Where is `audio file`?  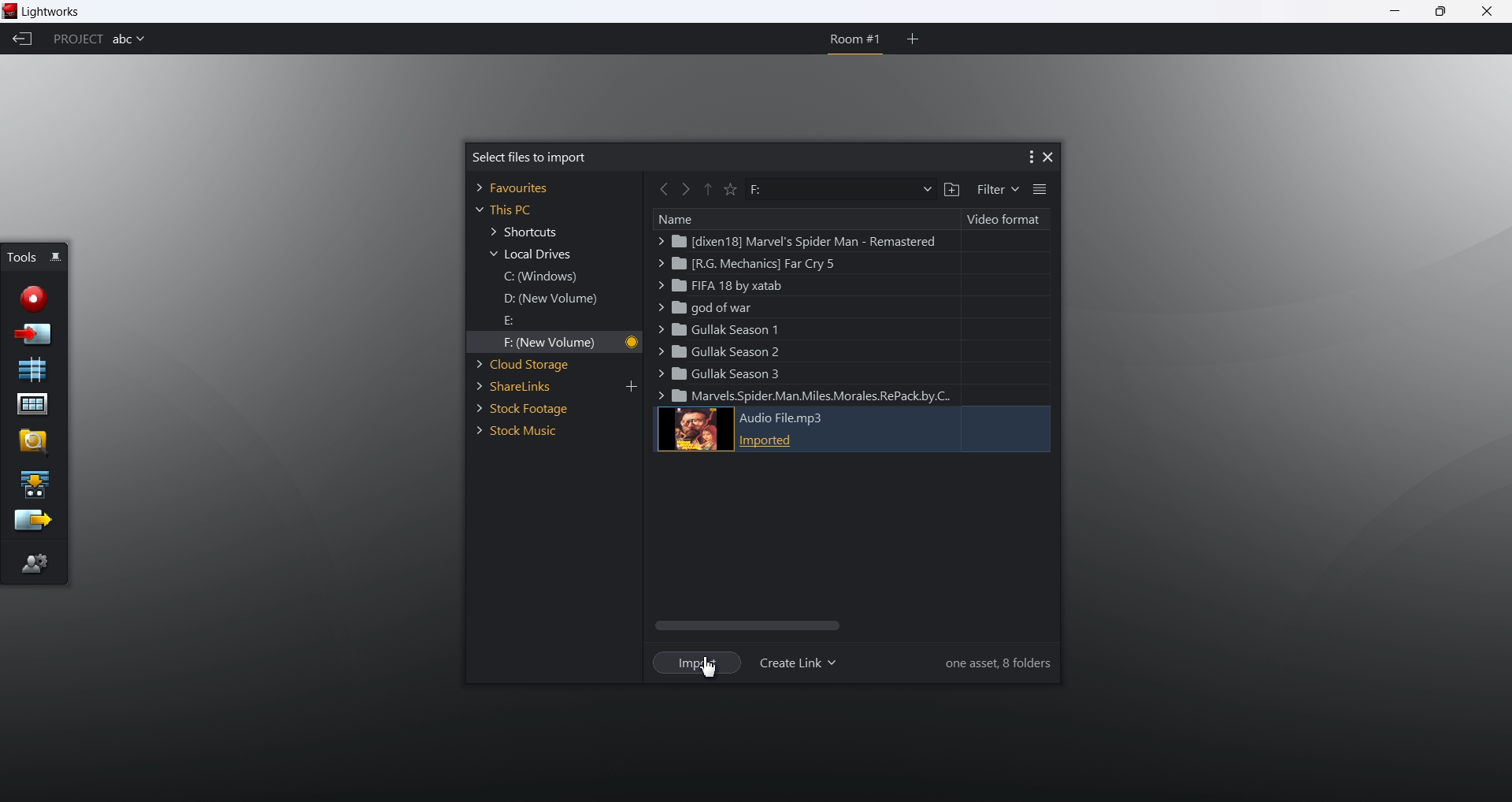 audio file is located at coordinates (851, 429).